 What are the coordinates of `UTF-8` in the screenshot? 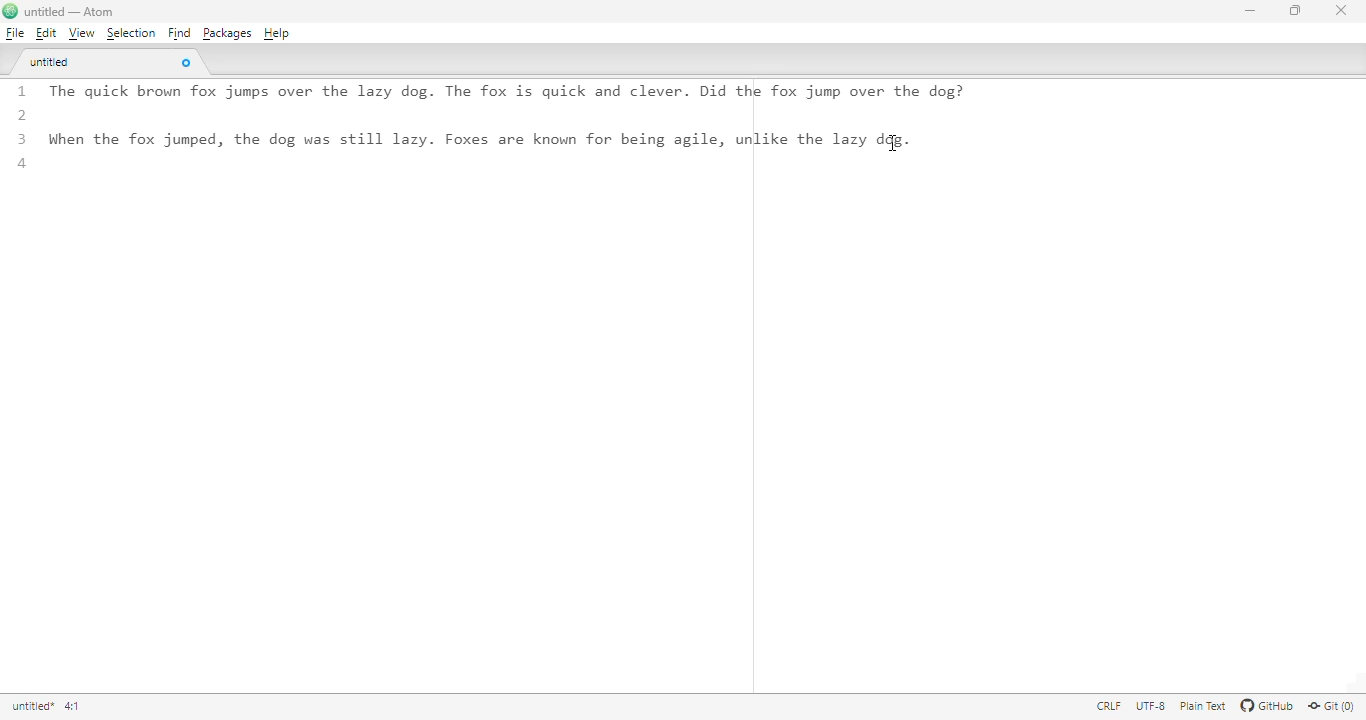 It's located at (1151, 707).